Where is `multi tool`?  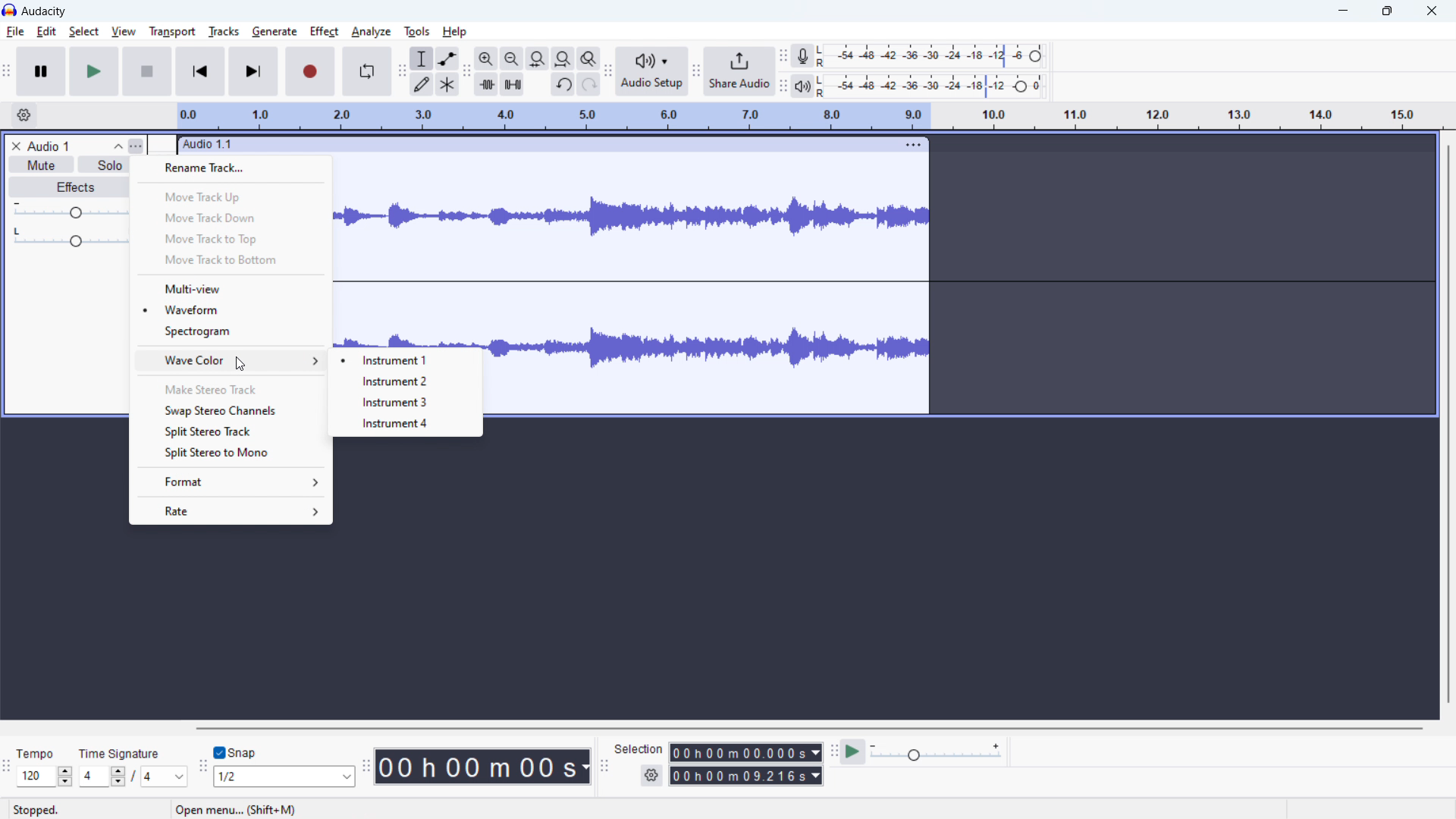
multi tool is located at coordinates (447, 84).